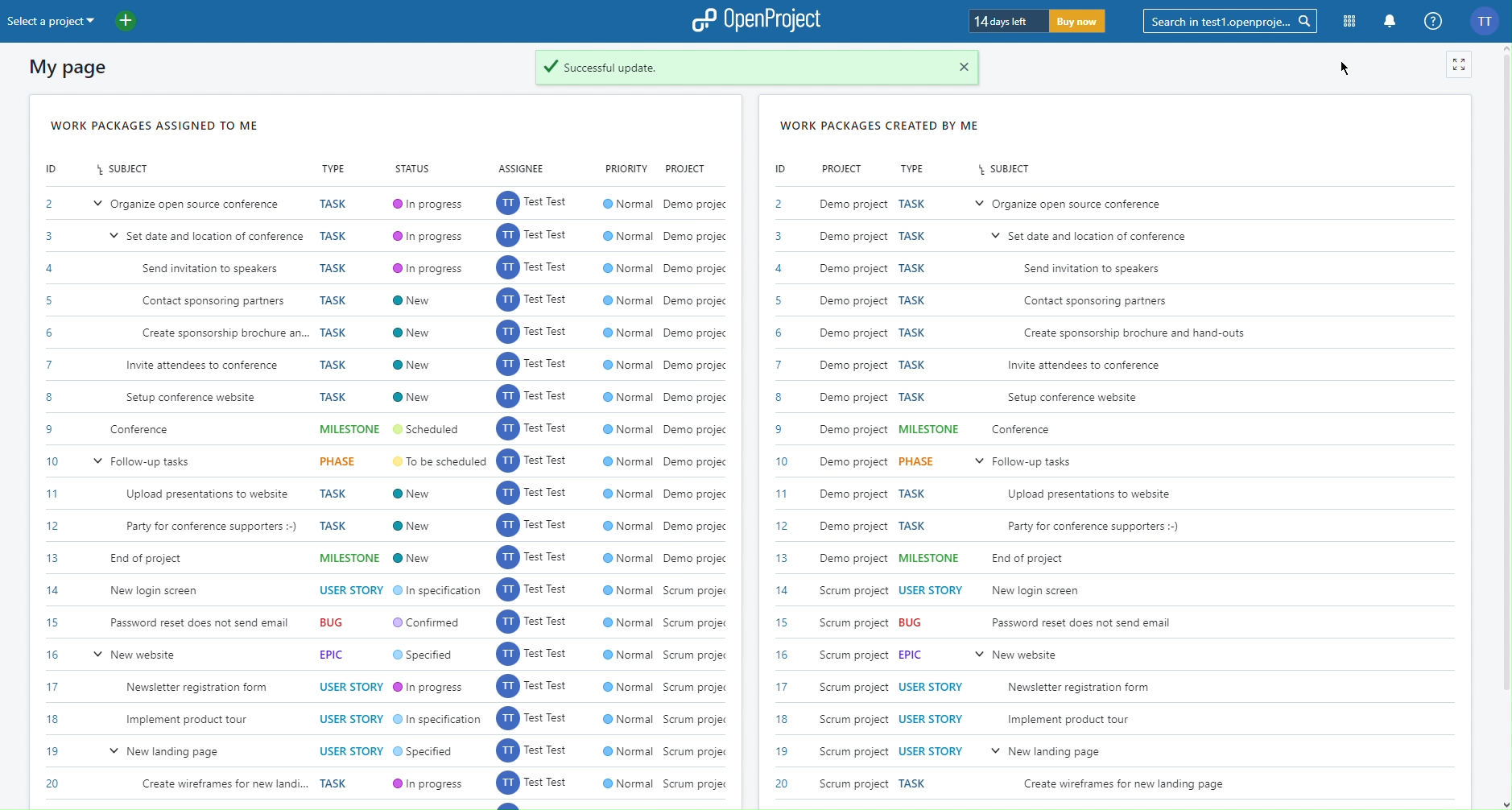 The image size is (1512, 810). Describe the element at coordinates (626, 167) in the screenshot. I see `Priority` at that location.